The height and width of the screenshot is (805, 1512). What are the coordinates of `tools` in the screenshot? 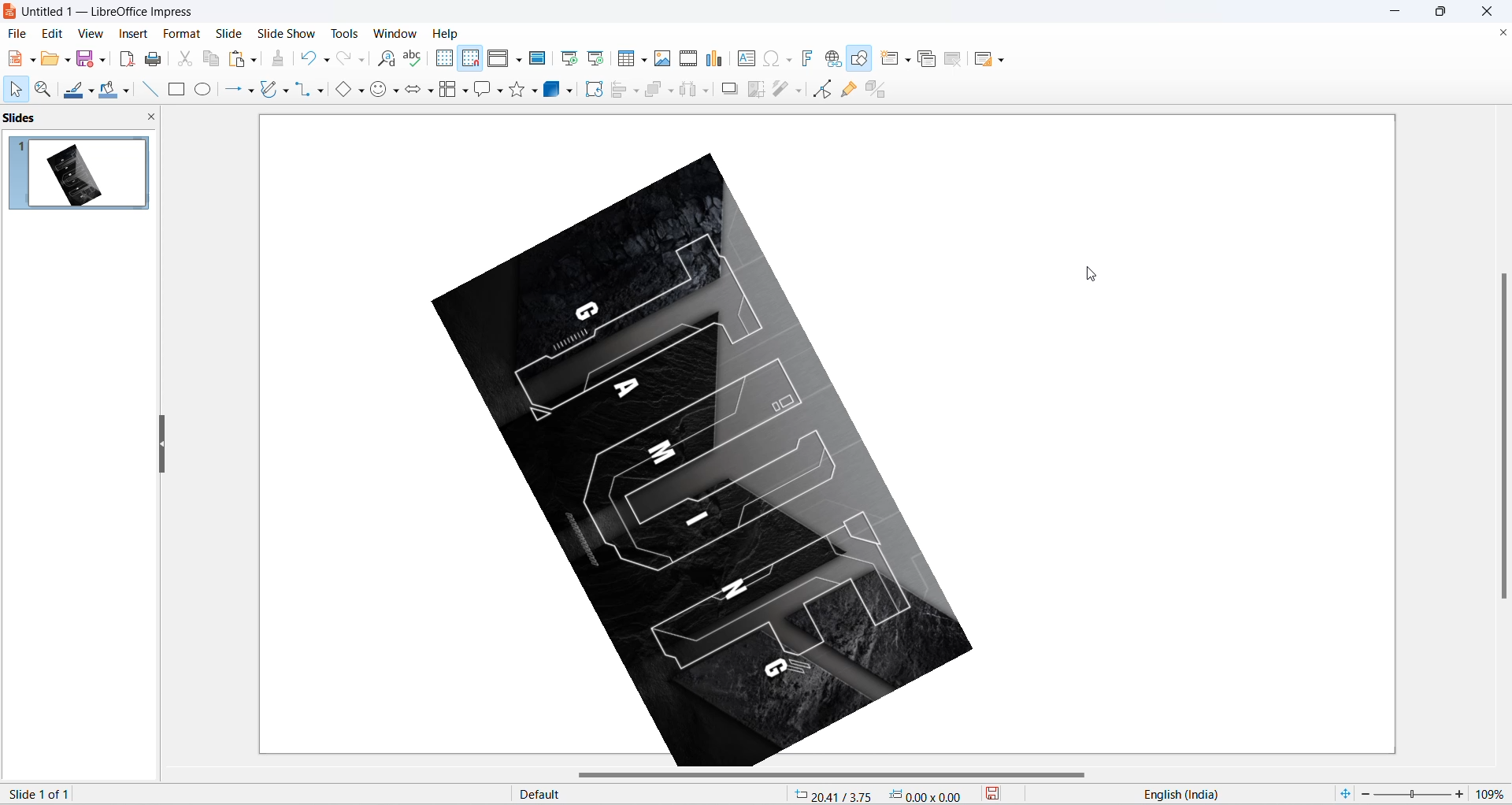 It's located at (350, 33).